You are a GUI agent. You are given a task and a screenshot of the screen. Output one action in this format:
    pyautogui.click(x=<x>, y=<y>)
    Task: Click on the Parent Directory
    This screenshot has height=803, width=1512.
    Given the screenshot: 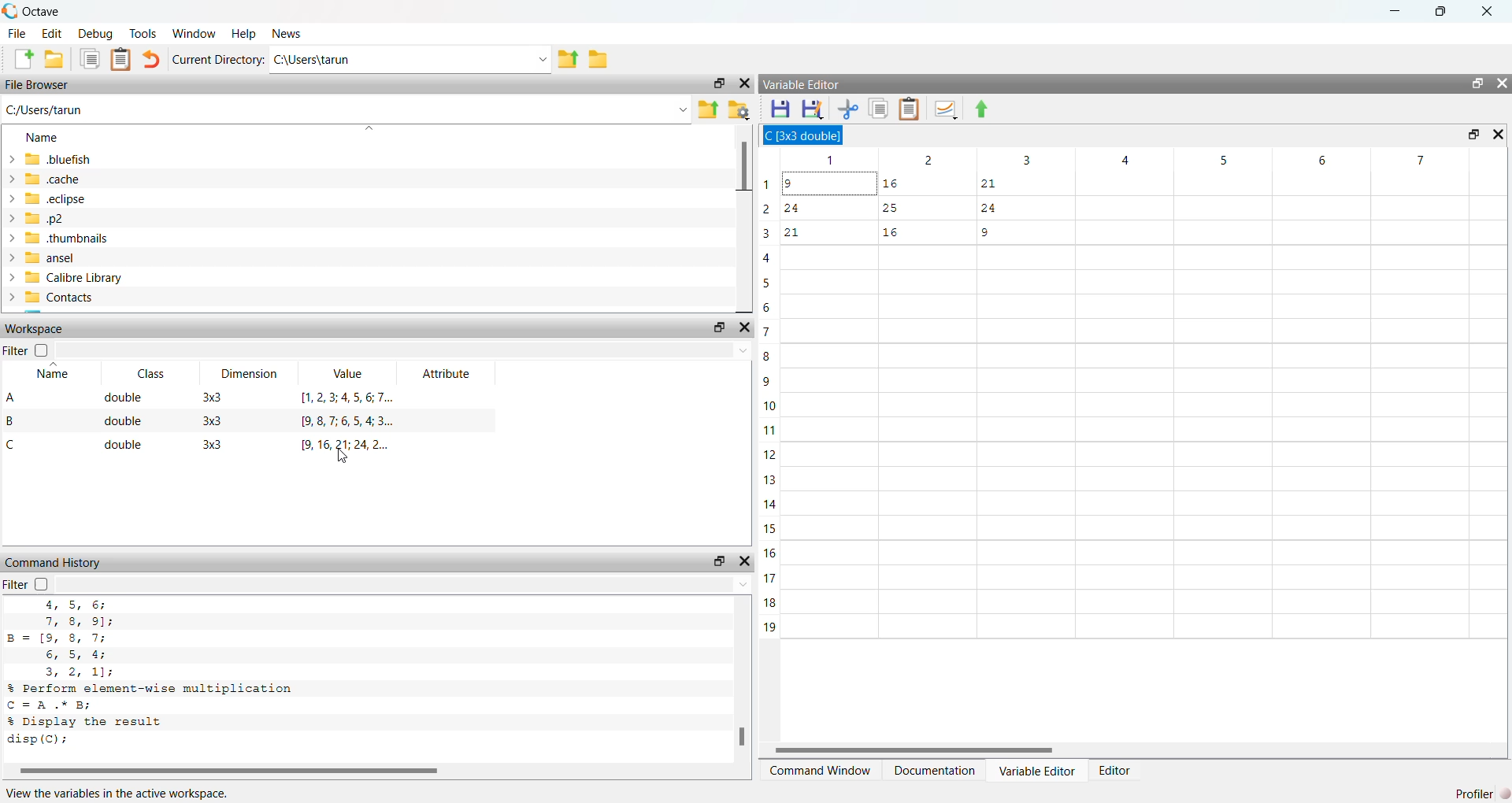 What is the action you would take?
    pyautogui.click(x=710, y=111)
    